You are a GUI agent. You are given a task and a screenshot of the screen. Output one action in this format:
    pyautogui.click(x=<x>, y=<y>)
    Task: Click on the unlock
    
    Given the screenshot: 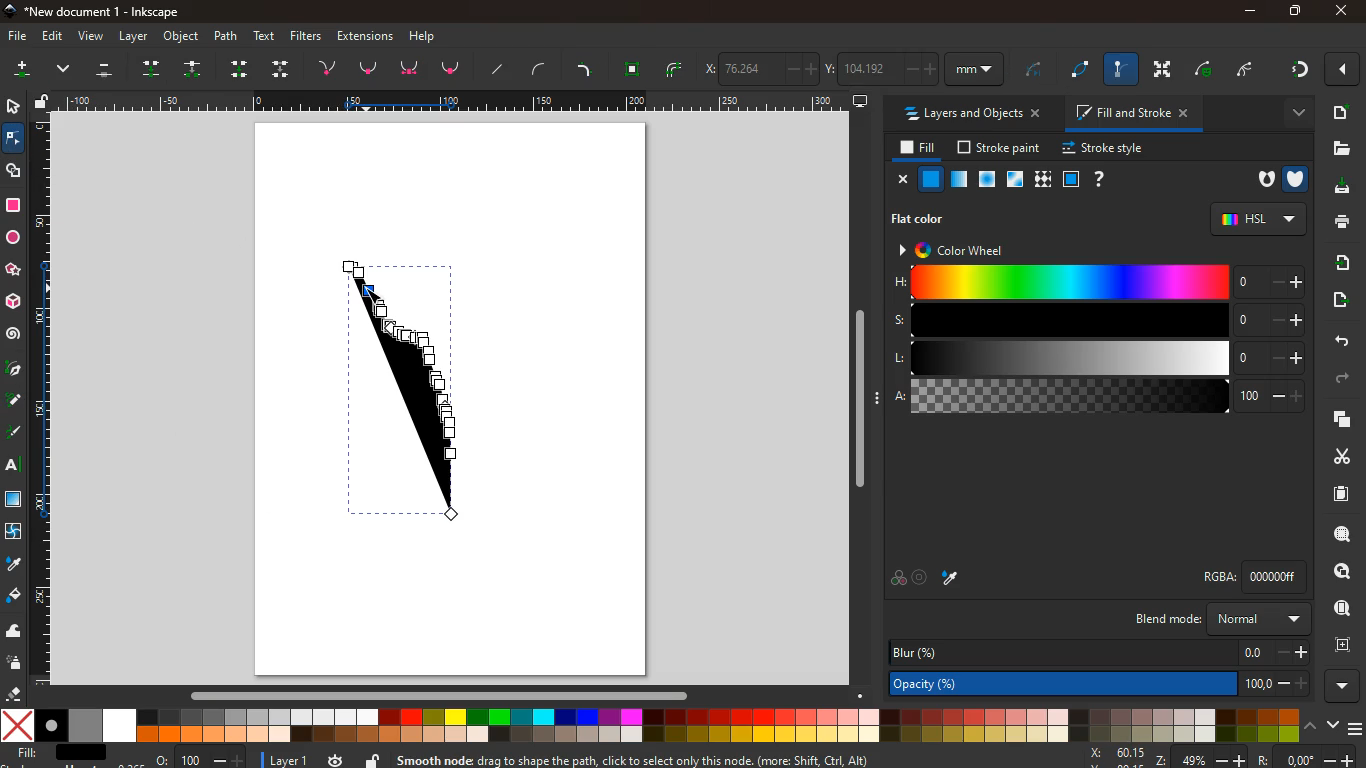 What is the action you would take?
    pyautogui.click(x=44, y=102)
    